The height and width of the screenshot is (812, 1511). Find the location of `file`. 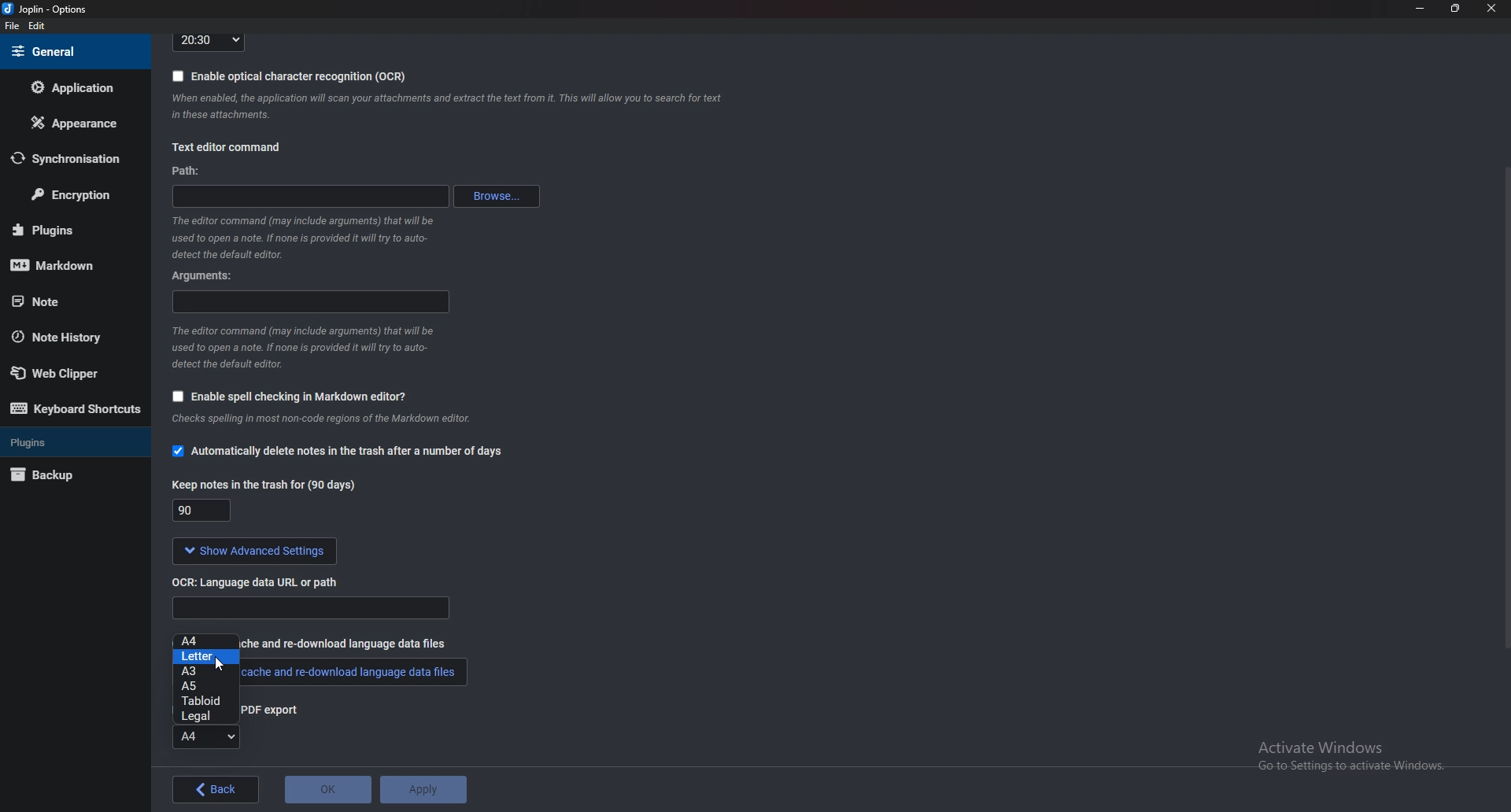

file is located at coordinates (14, 26).